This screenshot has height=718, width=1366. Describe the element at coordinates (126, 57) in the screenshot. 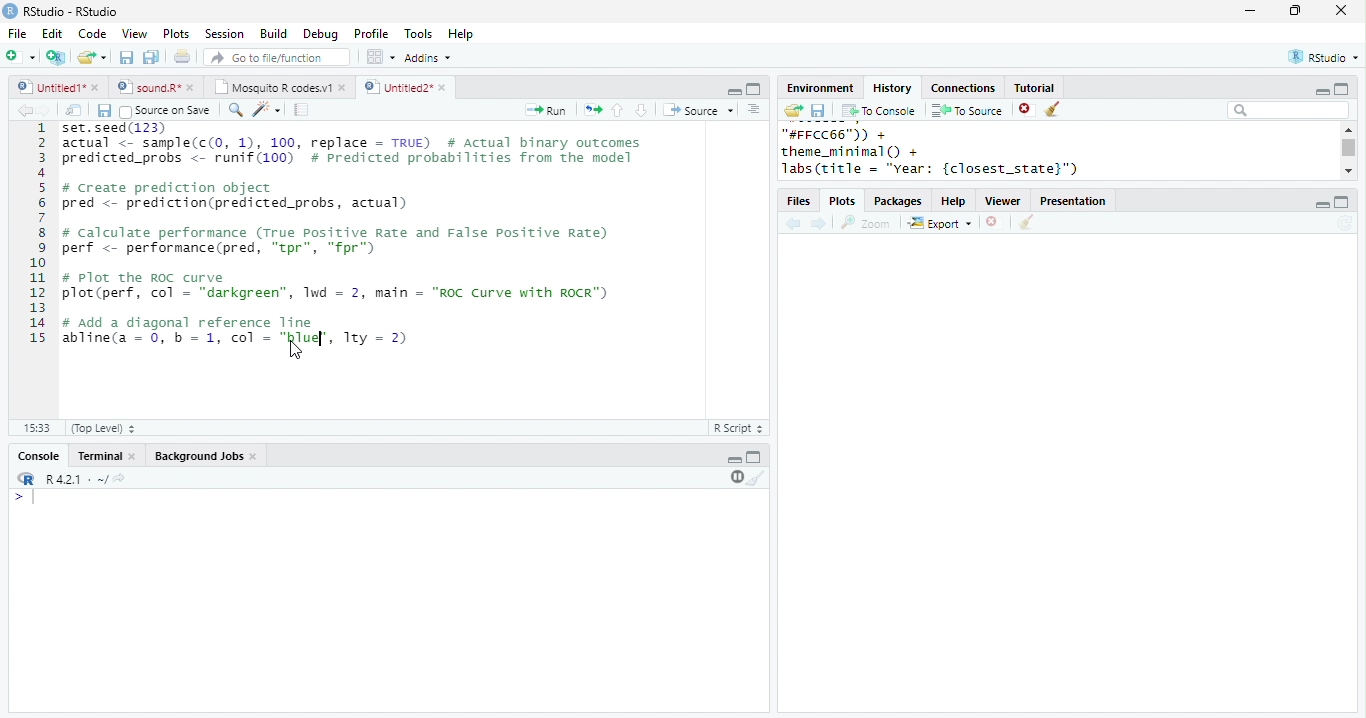

I see `save` at that location.